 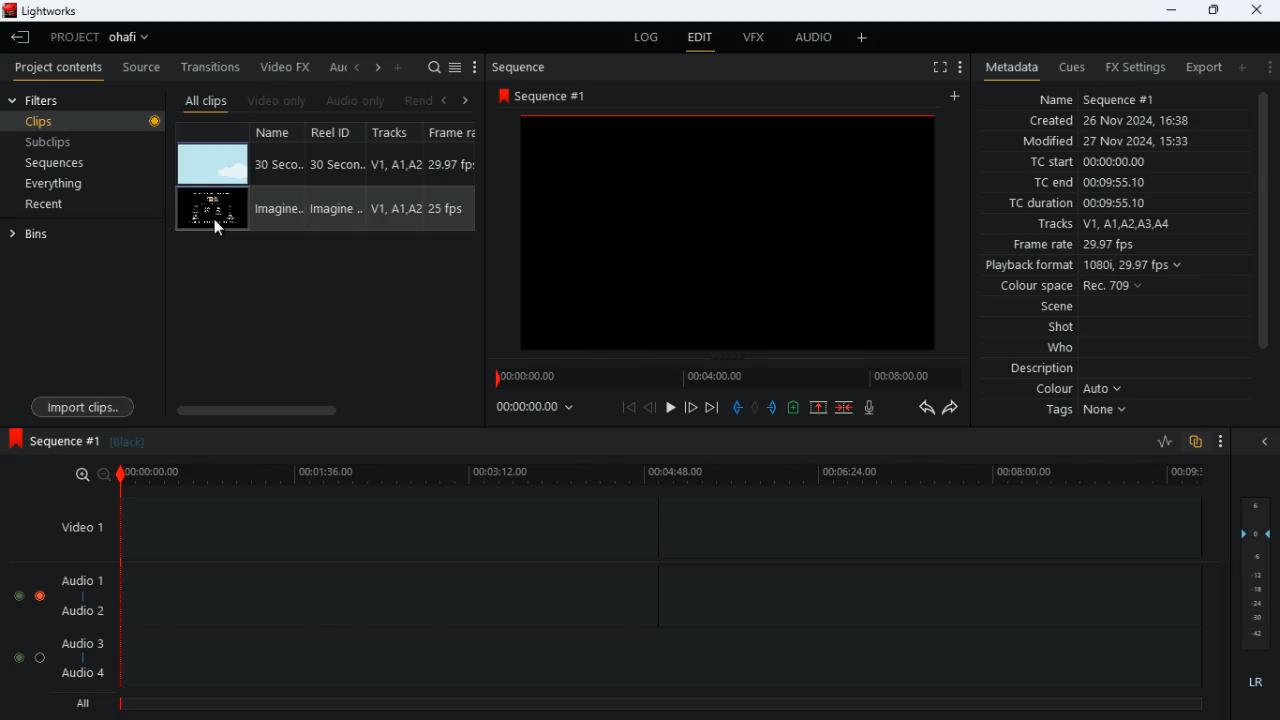 I want to click on video only, so click(x=278, y=99).